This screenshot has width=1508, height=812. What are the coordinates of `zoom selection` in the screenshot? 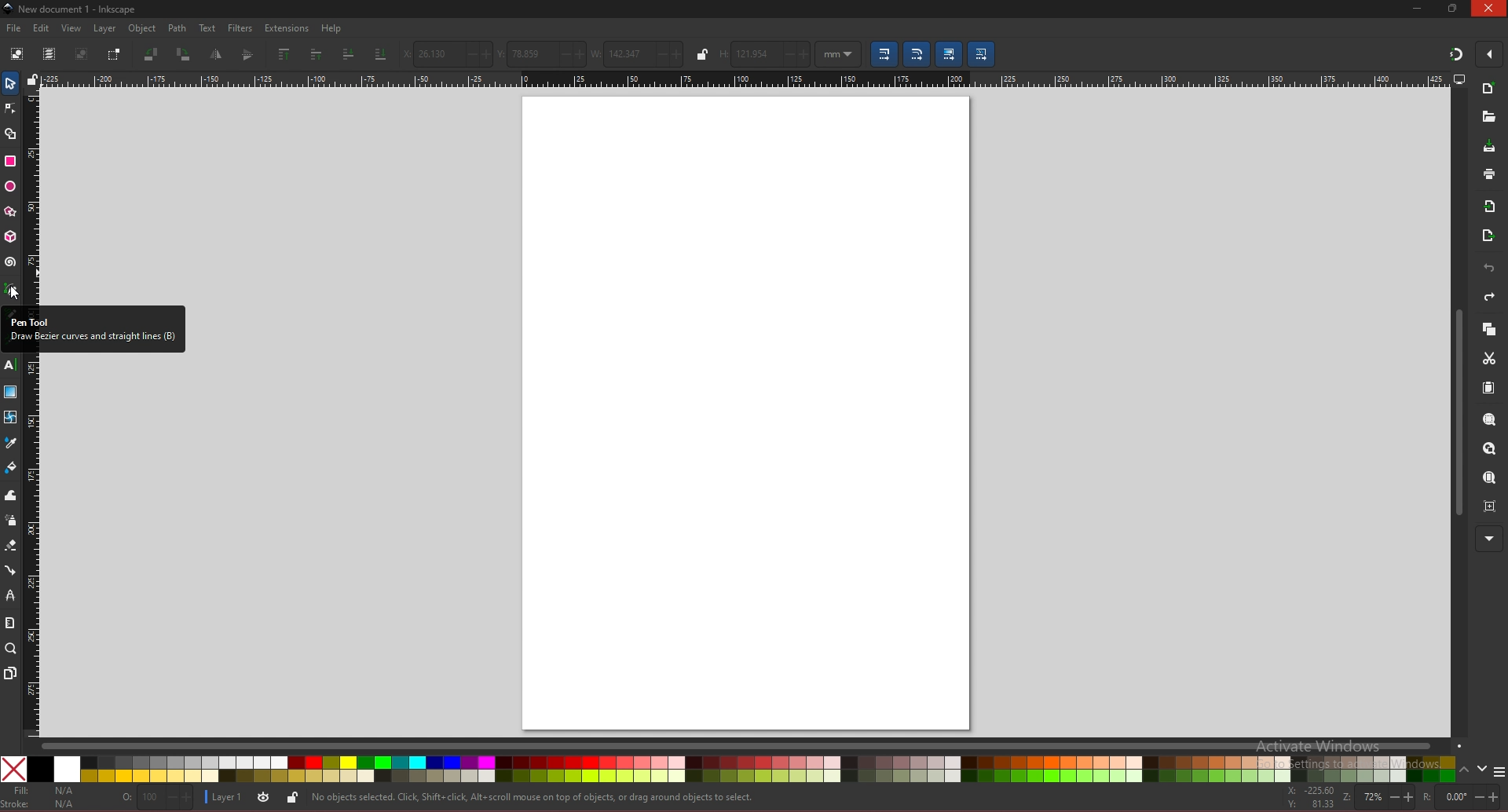 It's located at (1491, 421).